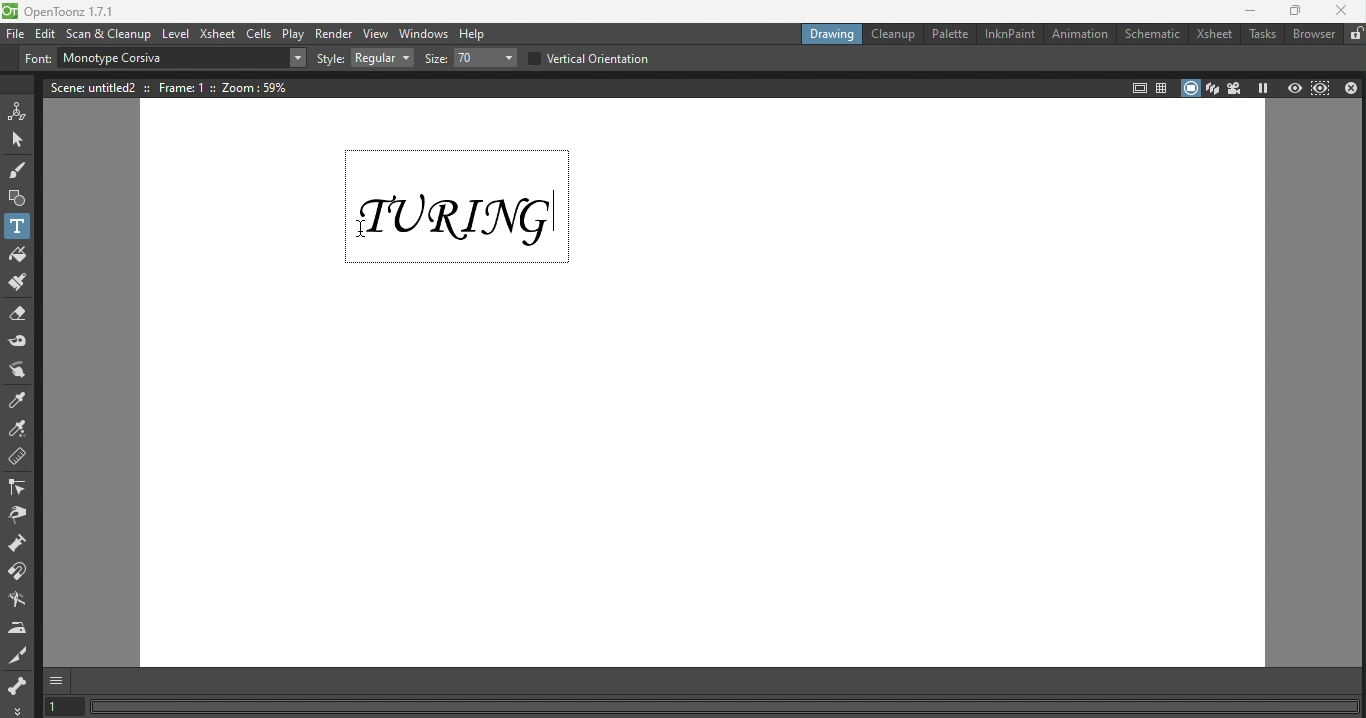 This screenshot has height=718, width=1366. What do you see at coordinates (334, 32) in the screenshot?
I see `Render` at bounding box center [334, 32].